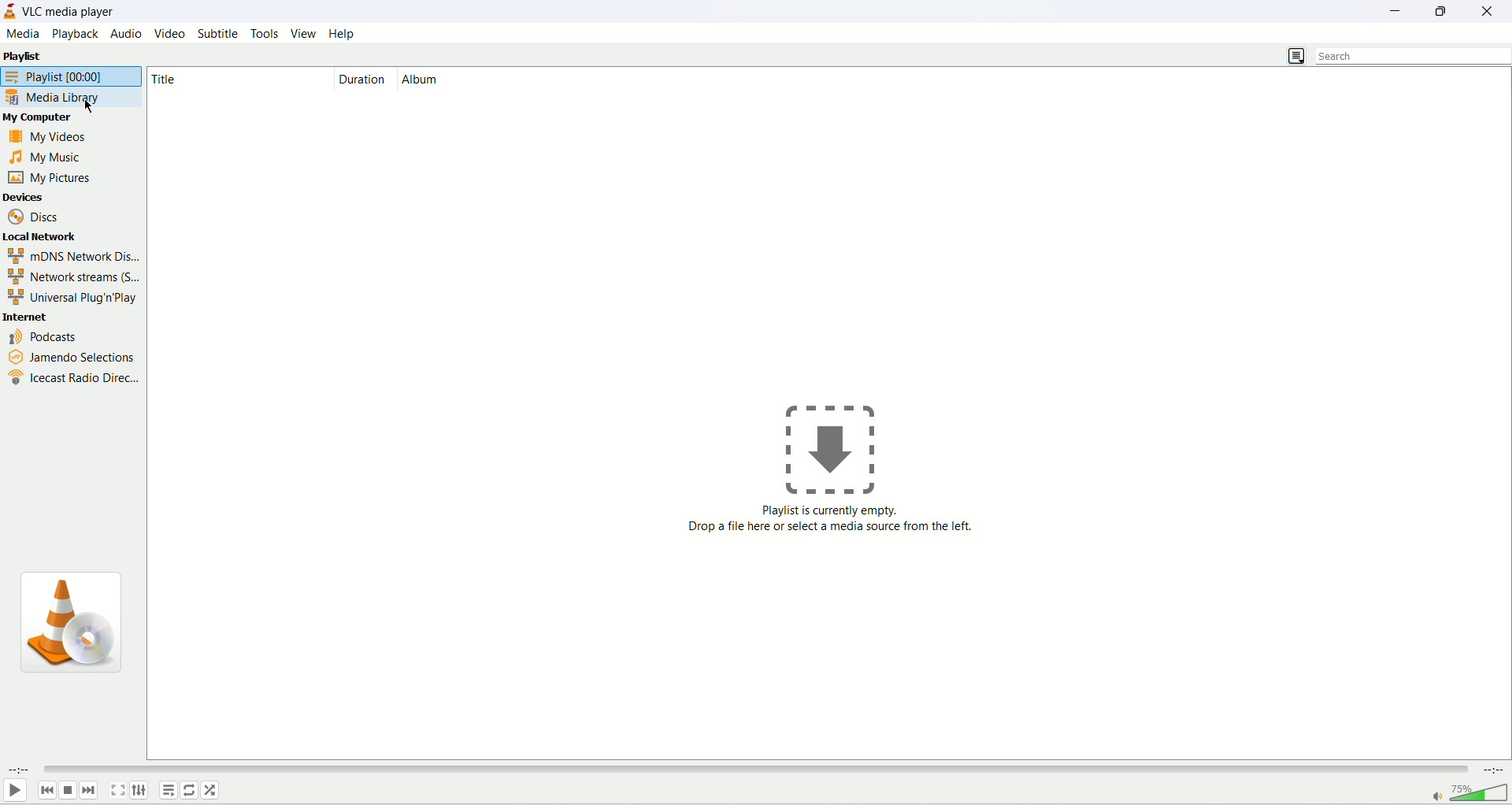  Describe the element at coordinates (89, 106) in the screenshot. I see `mouse cursor` at that location.